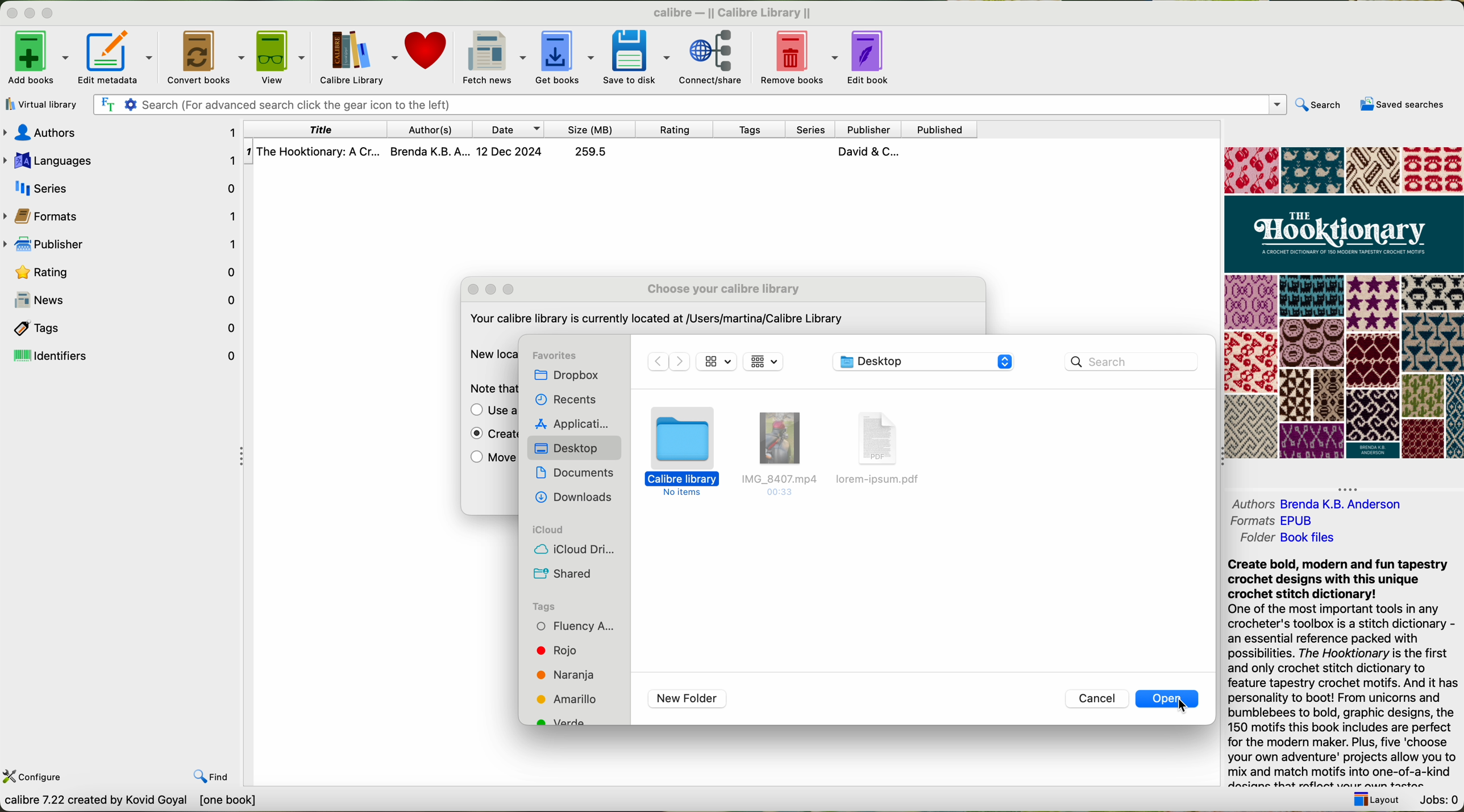  What do you see at coordinates (713, 57) in the screenshot?
I see `connect/share` at bounding box center [713, 57].